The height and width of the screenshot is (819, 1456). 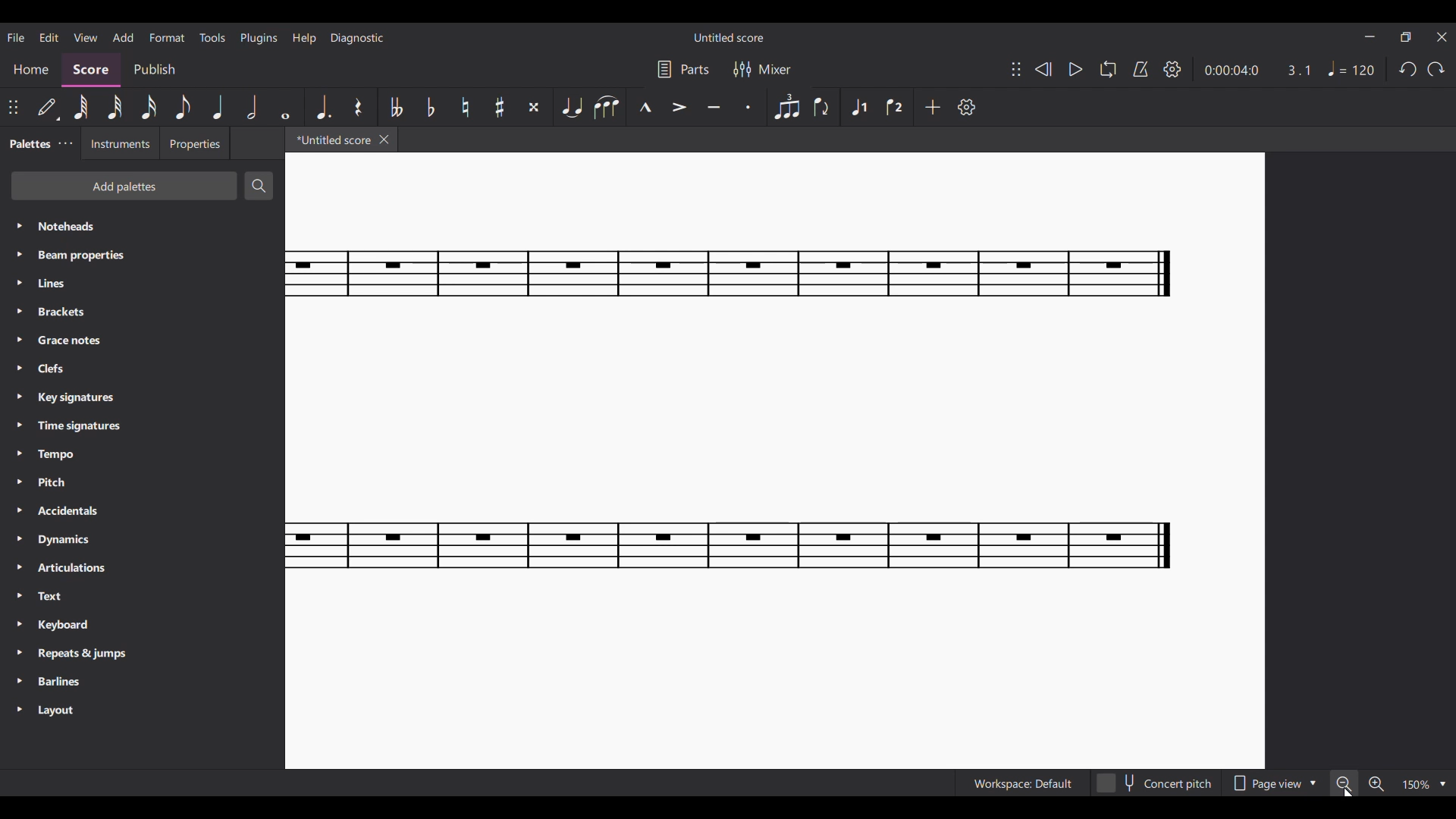 I want to click on Plugins menu, so click(x=259, y=39).